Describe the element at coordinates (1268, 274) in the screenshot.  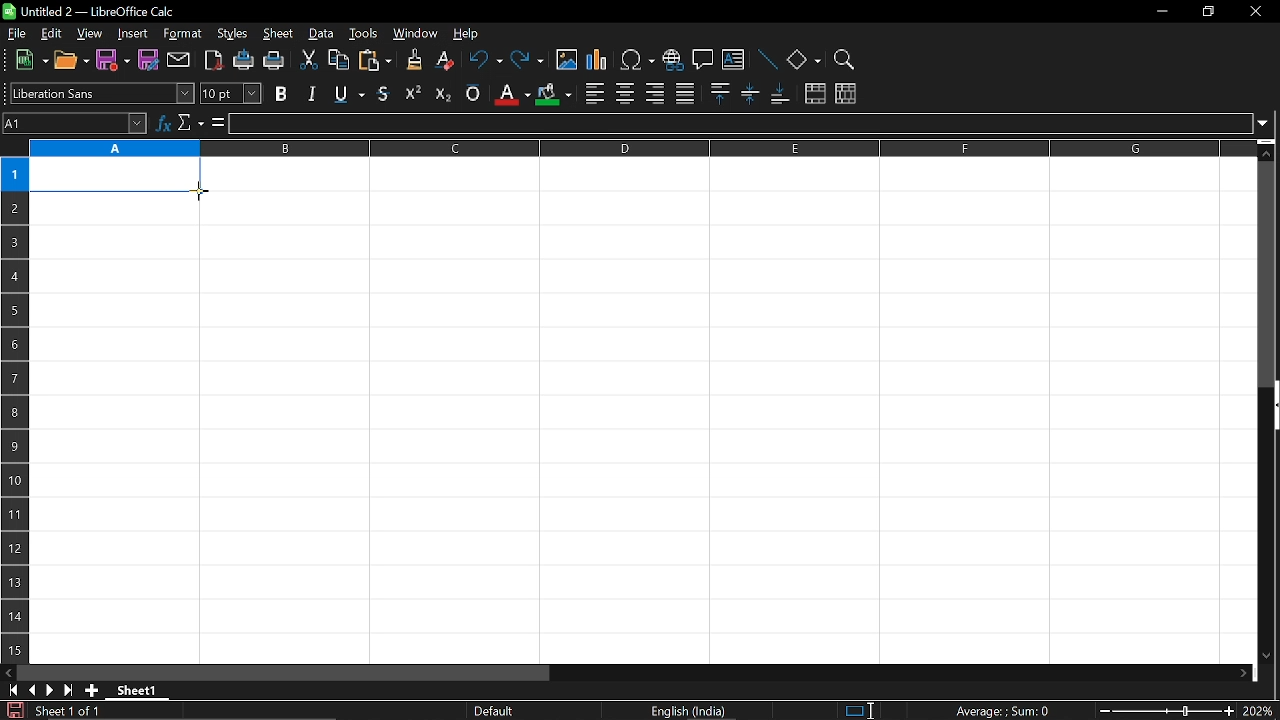
I see `vertical scrollbar` at that location.